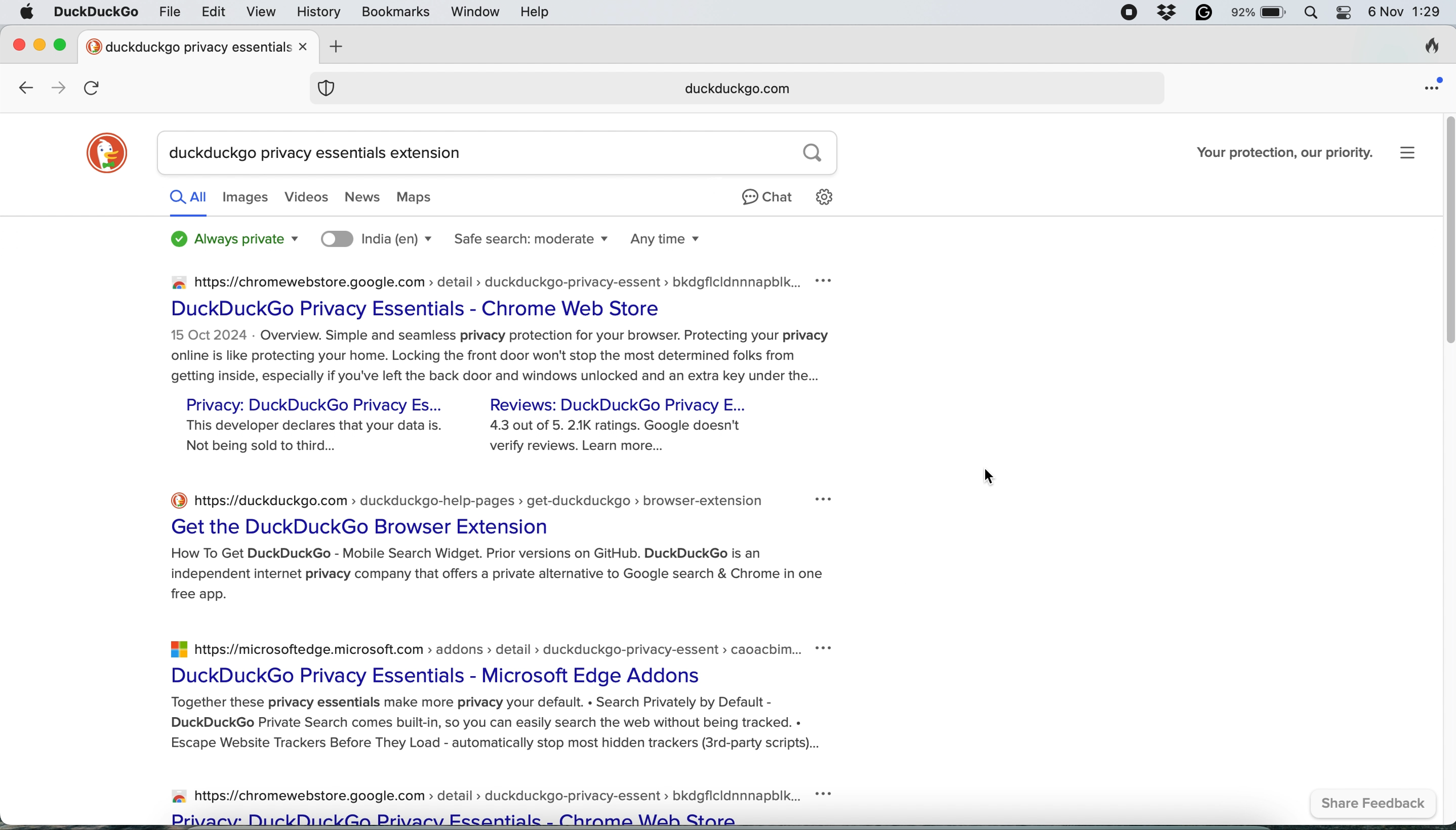  I want to click on all, so click(189, 199).